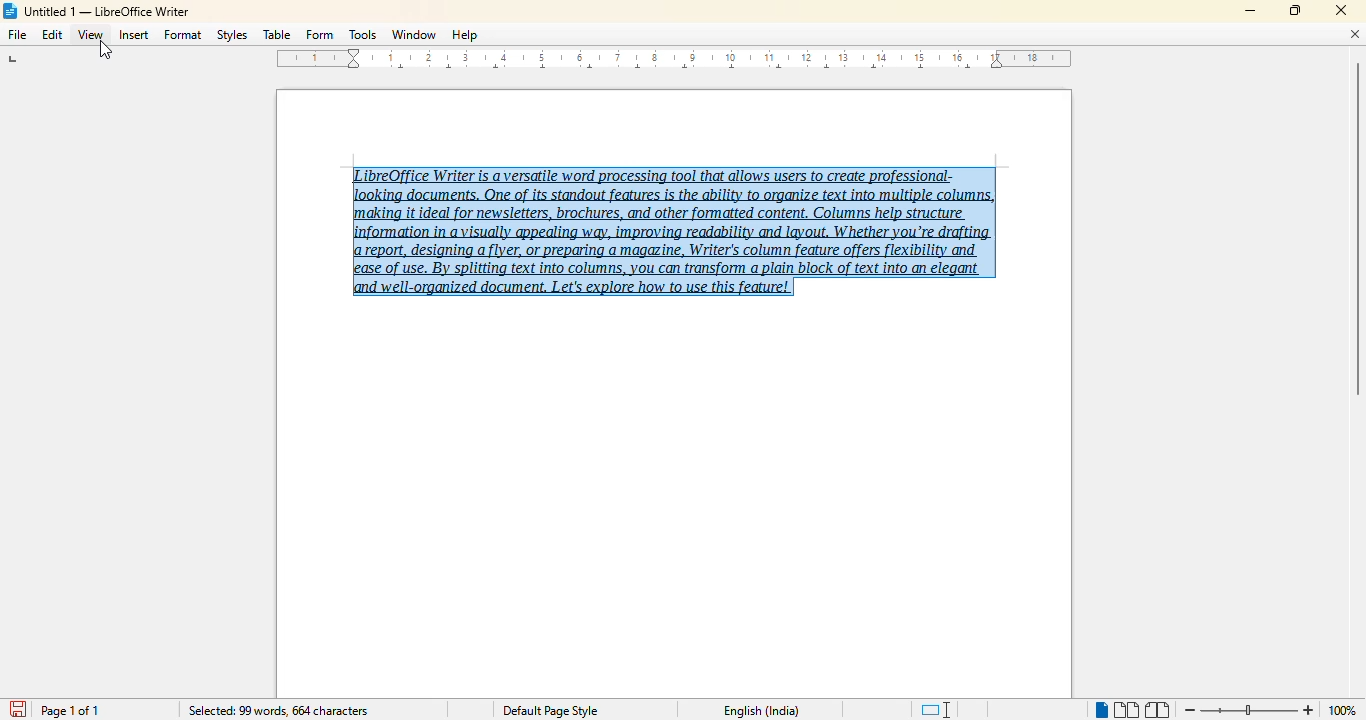 Image resolution: width=1366 pixels, height=720 pixels. Describe the element at coordinates (277, 711) in the screenshot. I see `selected: 99 words, 664 characters` at that location.